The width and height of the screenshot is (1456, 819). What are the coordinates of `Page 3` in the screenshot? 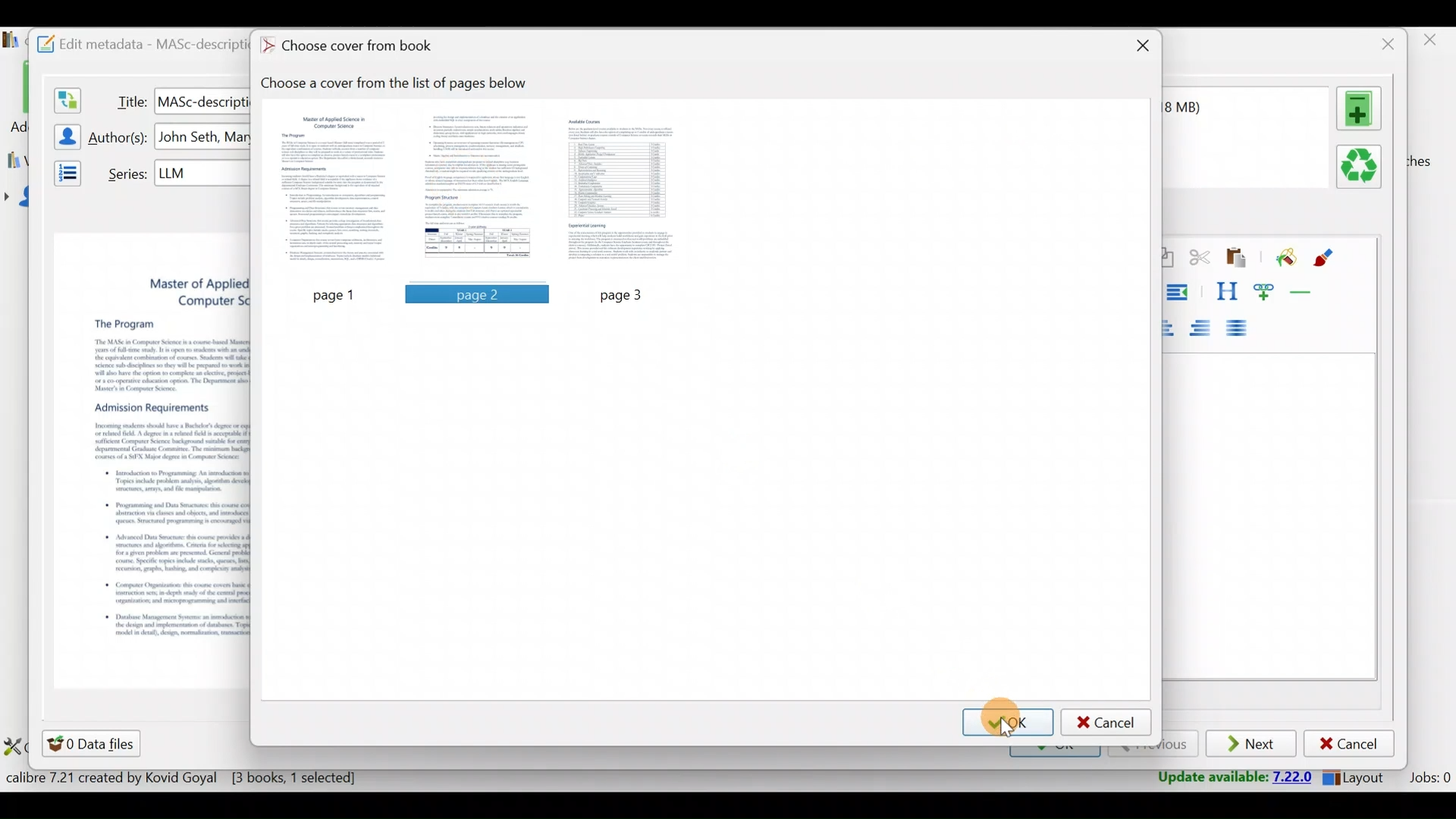 It's located at (624, 190).